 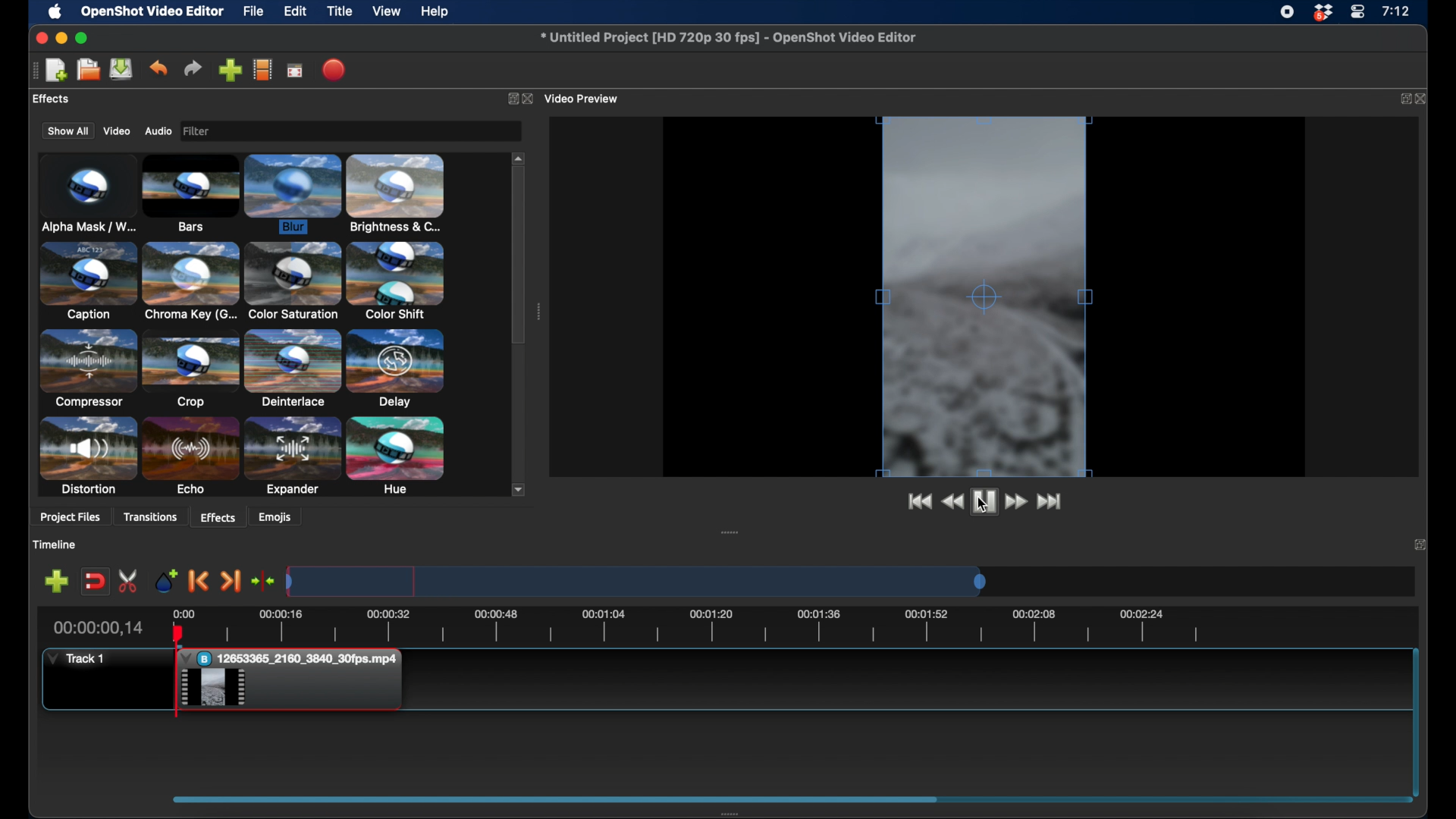 I want to click on undo, so click(x=158, y=68).